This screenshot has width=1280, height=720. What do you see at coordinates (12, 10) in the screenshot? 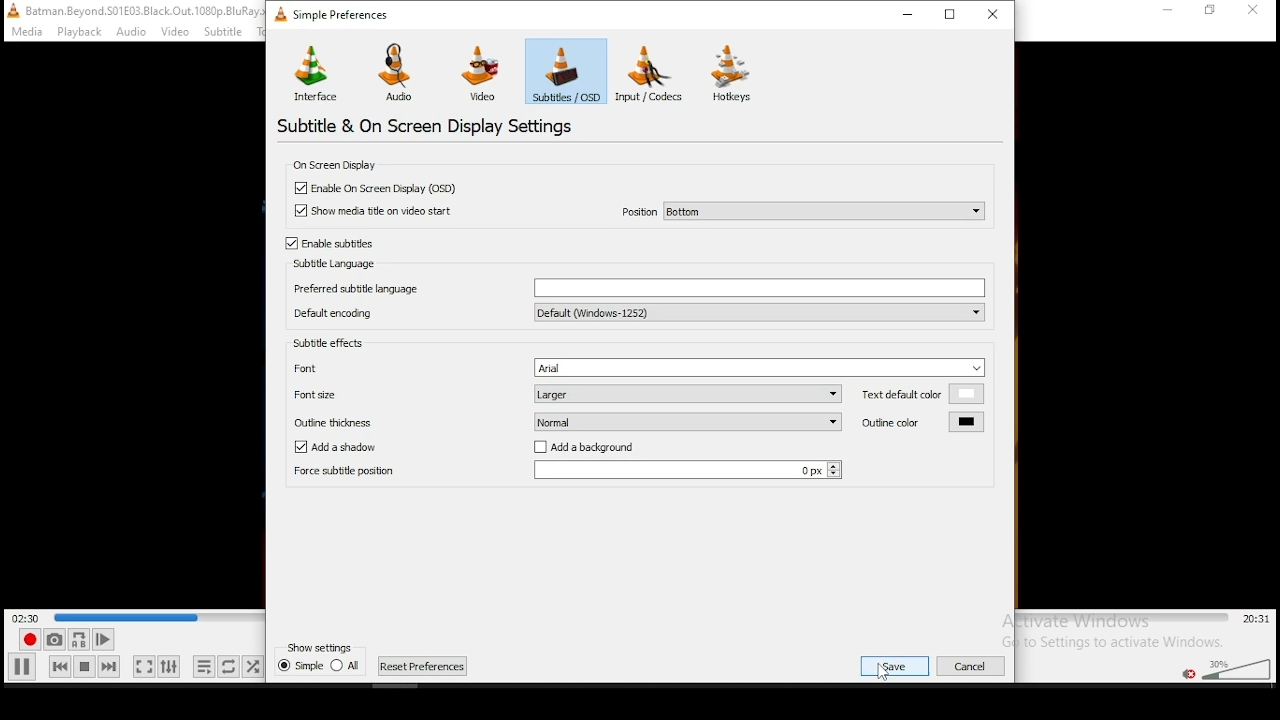
I see `VLC icon` at bounding box center [12, 10].